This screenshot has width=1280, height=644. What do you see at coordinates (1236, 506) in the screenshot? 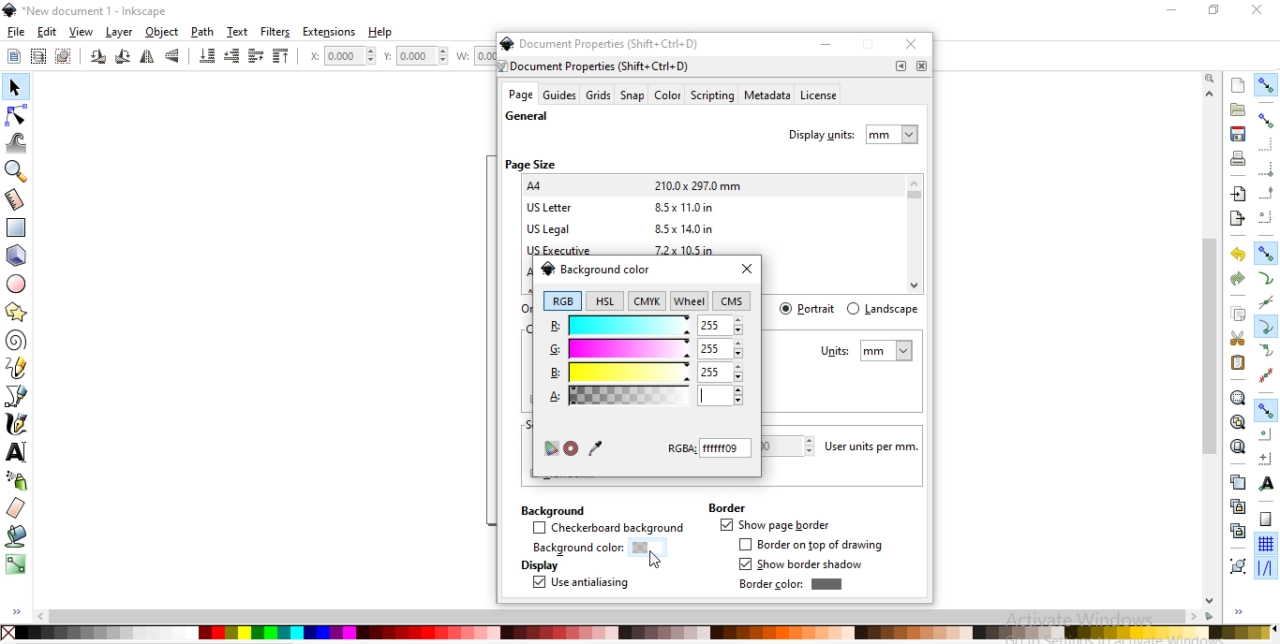
I see `create a clone` at bounding box center [1236, 506].